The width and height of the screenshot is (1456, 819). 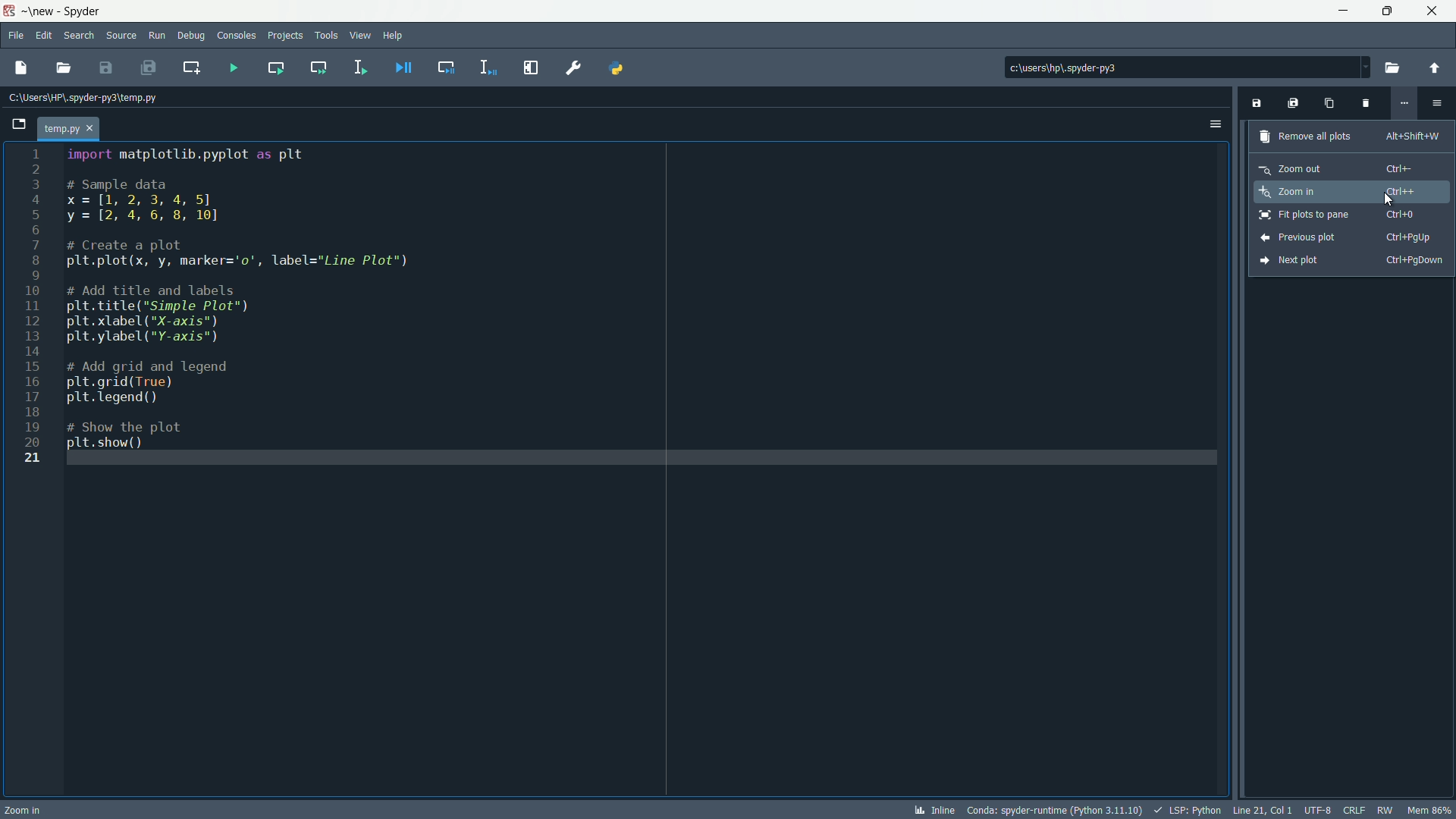 What do you see at coordinates (573, 67) in the screenshot?
I see `preferences` at bounding box center [573, 67].